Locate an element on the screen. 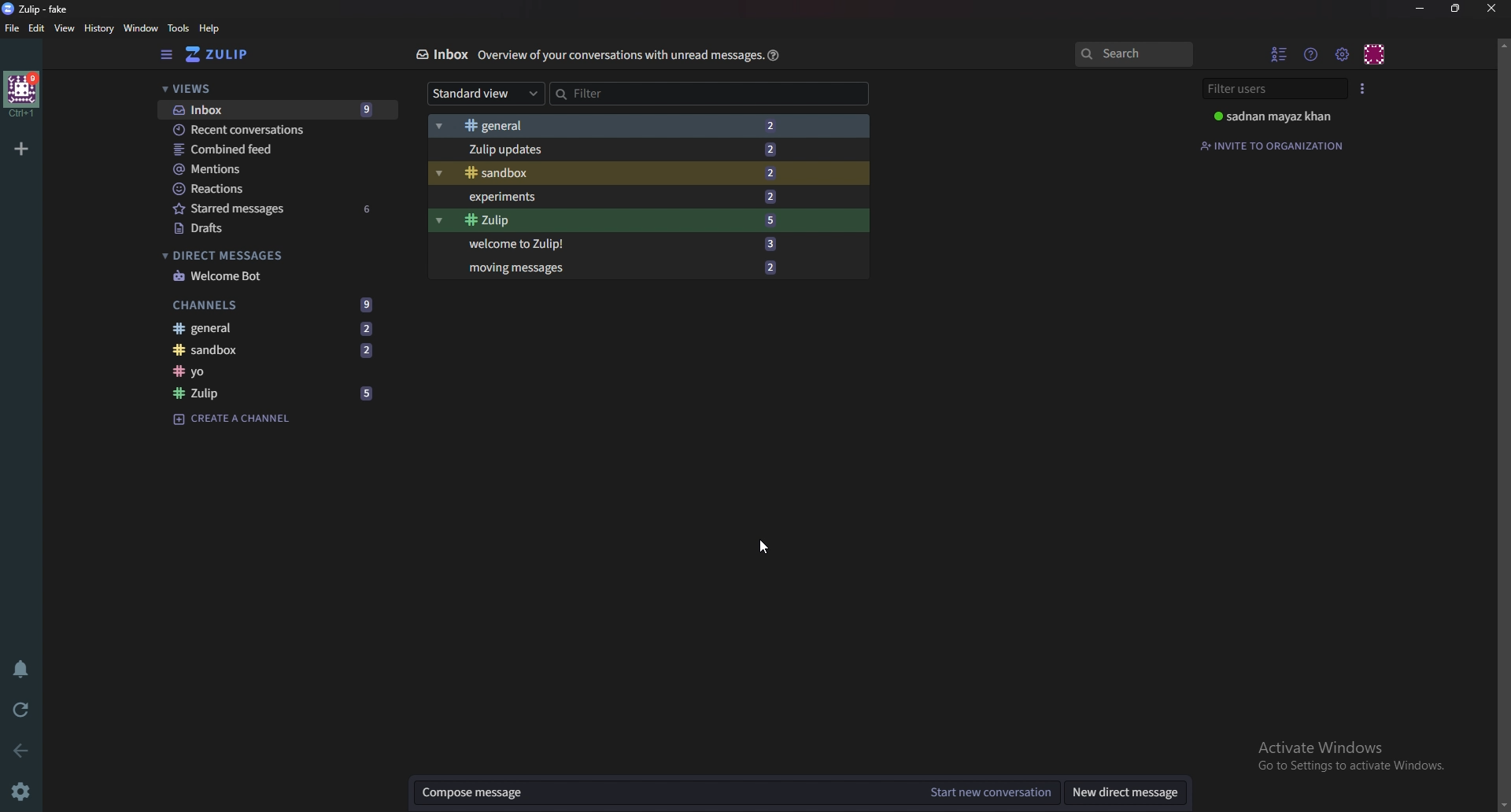 Image resolution: width=1511 pixels, height=812 pixels. Add Workspace is located at coordinates (21, 150).